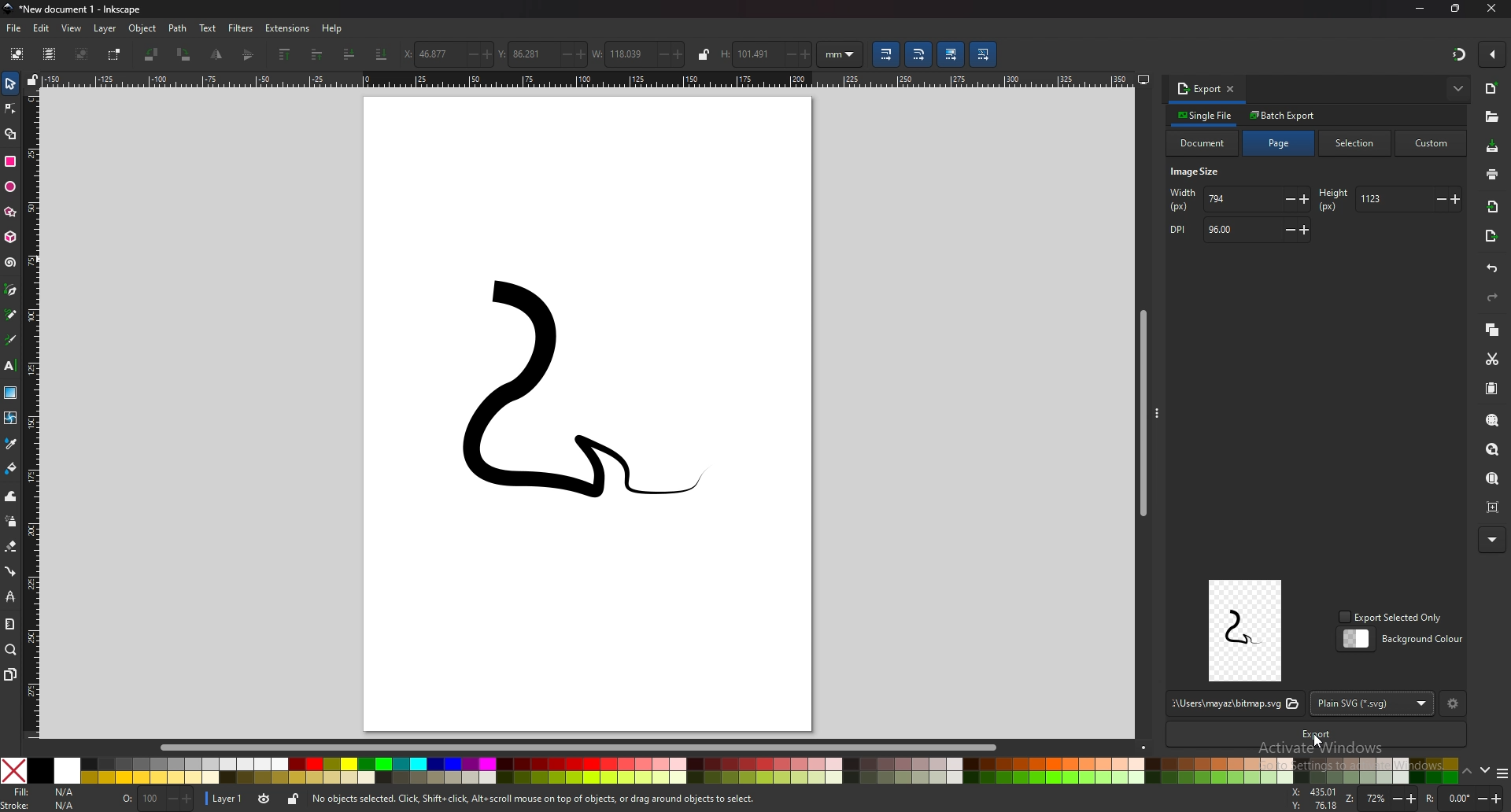 This screenshot has height=812, width=1511. What do you see at coordinates (1493, 269) in the screenshot?
I see `undo` at bounding box center [1493, 269].